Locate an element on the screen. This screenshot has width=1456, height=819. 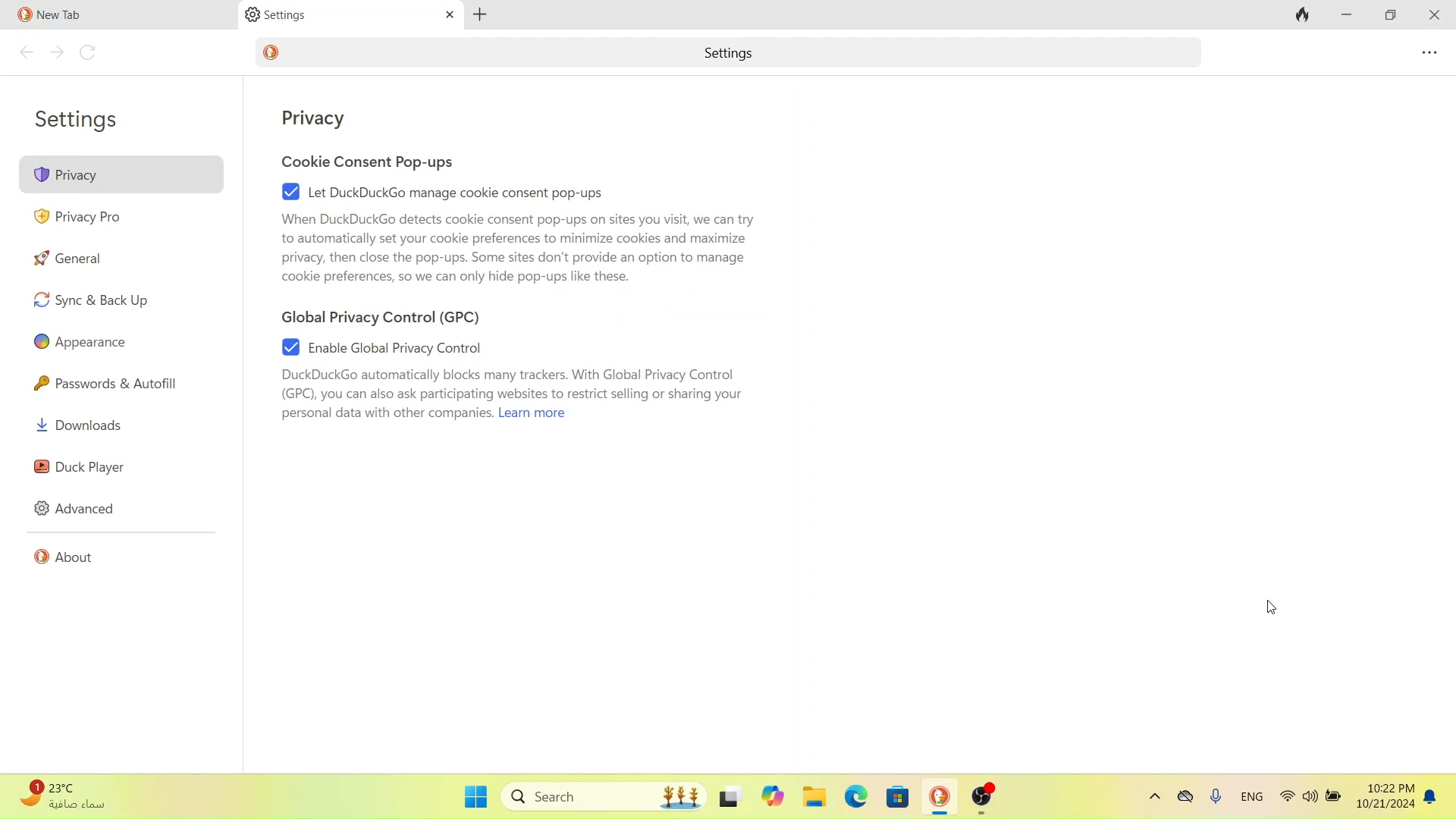
download is located at coordinates (95, 428).